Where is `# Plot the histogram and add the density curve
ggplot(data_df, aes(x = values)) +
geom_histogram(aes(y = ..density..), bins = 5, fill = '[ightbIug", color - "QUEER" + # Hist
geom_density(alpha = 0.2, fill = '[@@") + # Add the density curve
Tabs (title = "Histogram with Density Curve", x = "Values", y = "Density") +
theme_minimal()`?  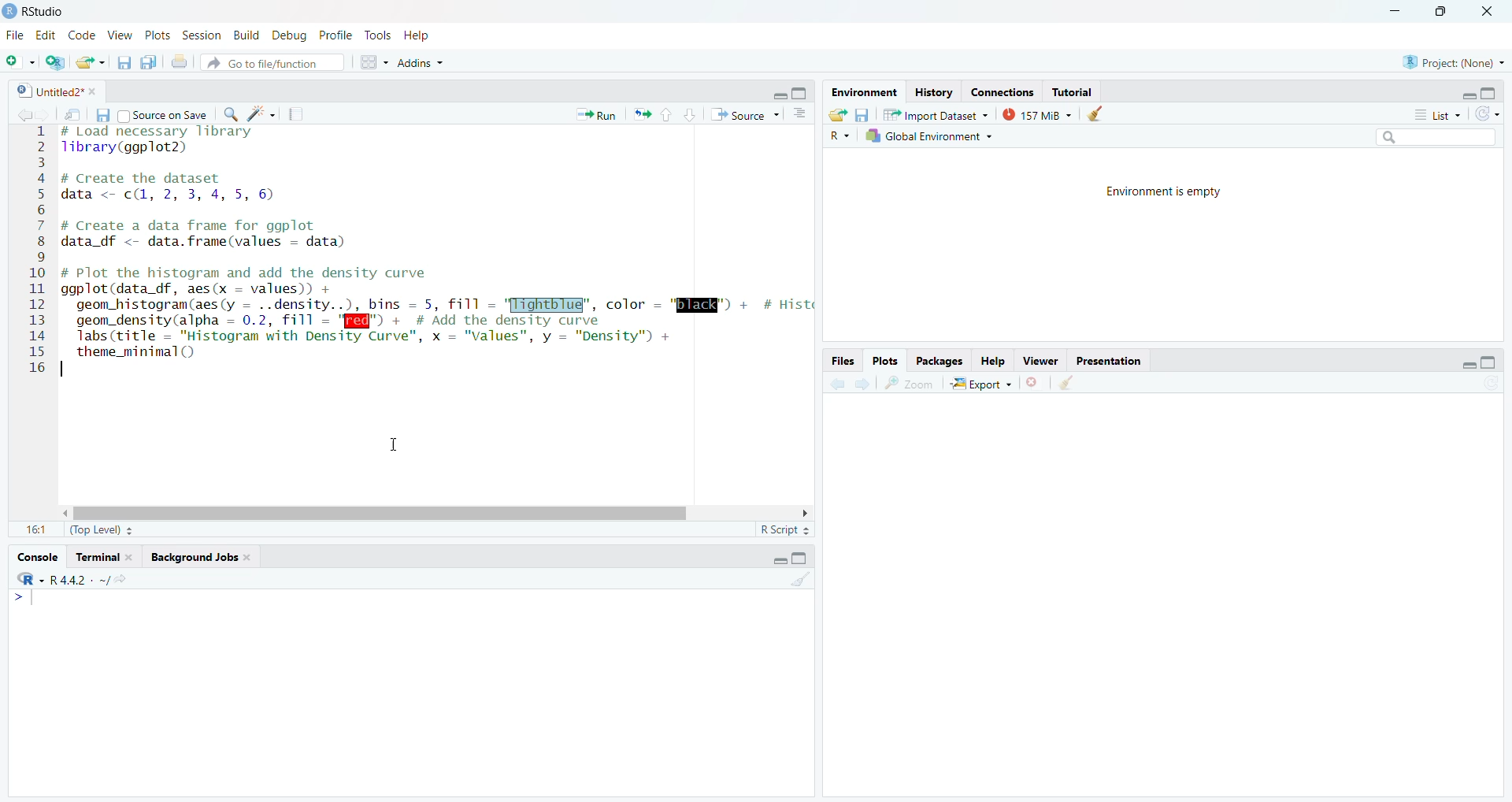
# Plot the histogram and add the density curve
ggplot(data_df, aes(x = values)) +
geom_histogram(aes(y = ..density..), bins = 5, fill = '[ightbIug", color - "QUEER" + # Hist
geom_density(alpha = 0.2, fill = '[@@") + # Add the density curve
Tabs (title = "Histogram with Density Curve", x = "Values", y = "Density") +
theme_minimal() is located at coordinates (439, 312).